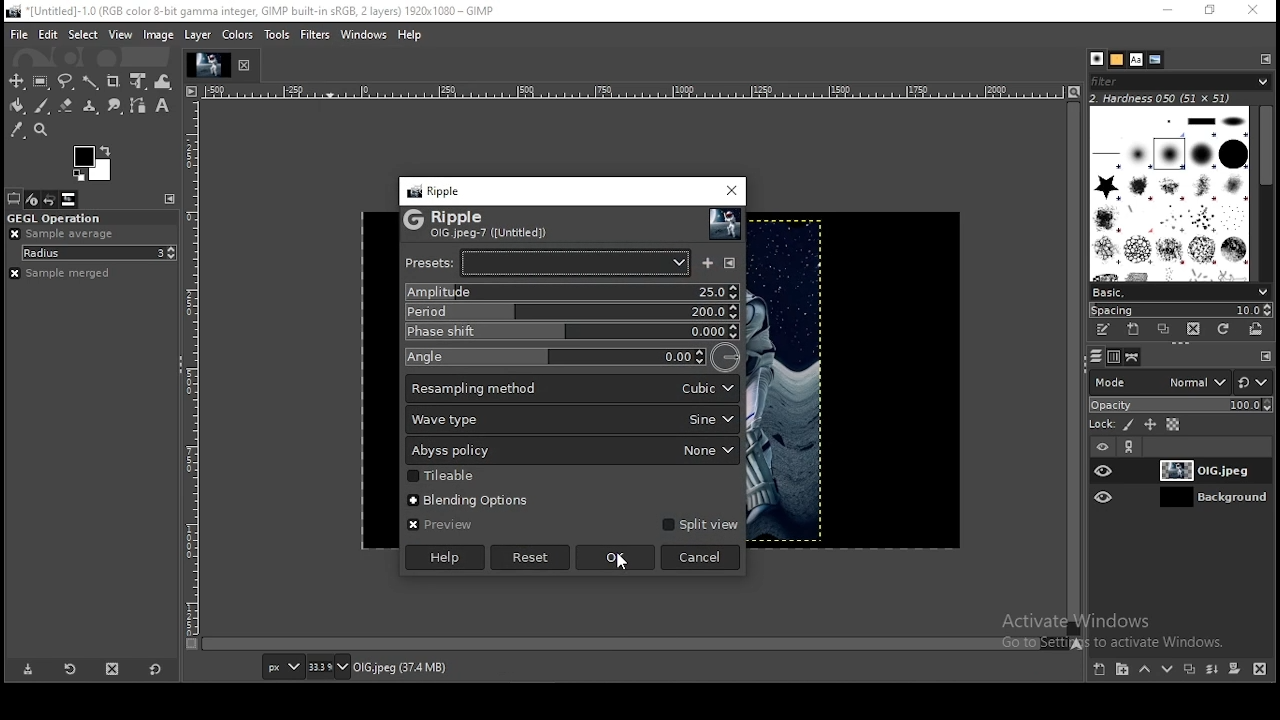 The width and height of the screenshot is (1280, 720). I want to click on Task Display, so click(208, 65).